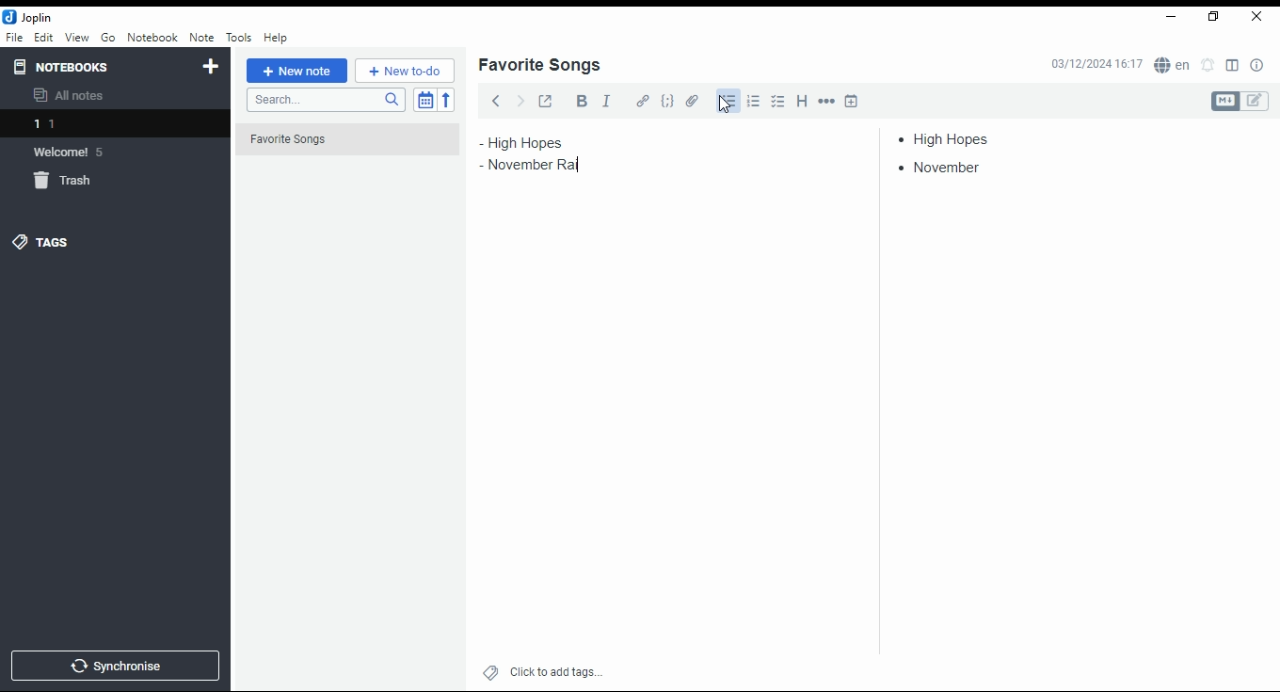  Describe the element at coordinates (41, 241) in the screenshot. I see `tags` at that location.